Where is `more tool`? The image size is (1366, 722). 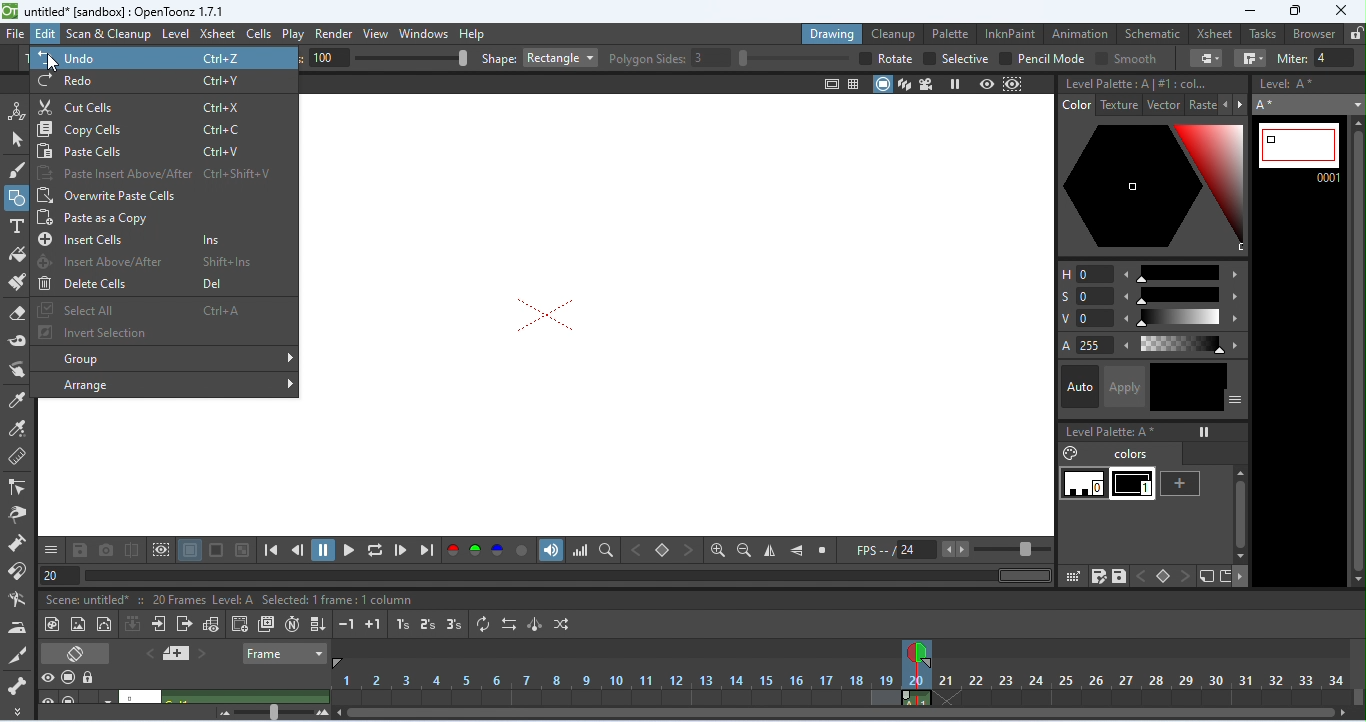
more tool is located at coordinates (15, 710).